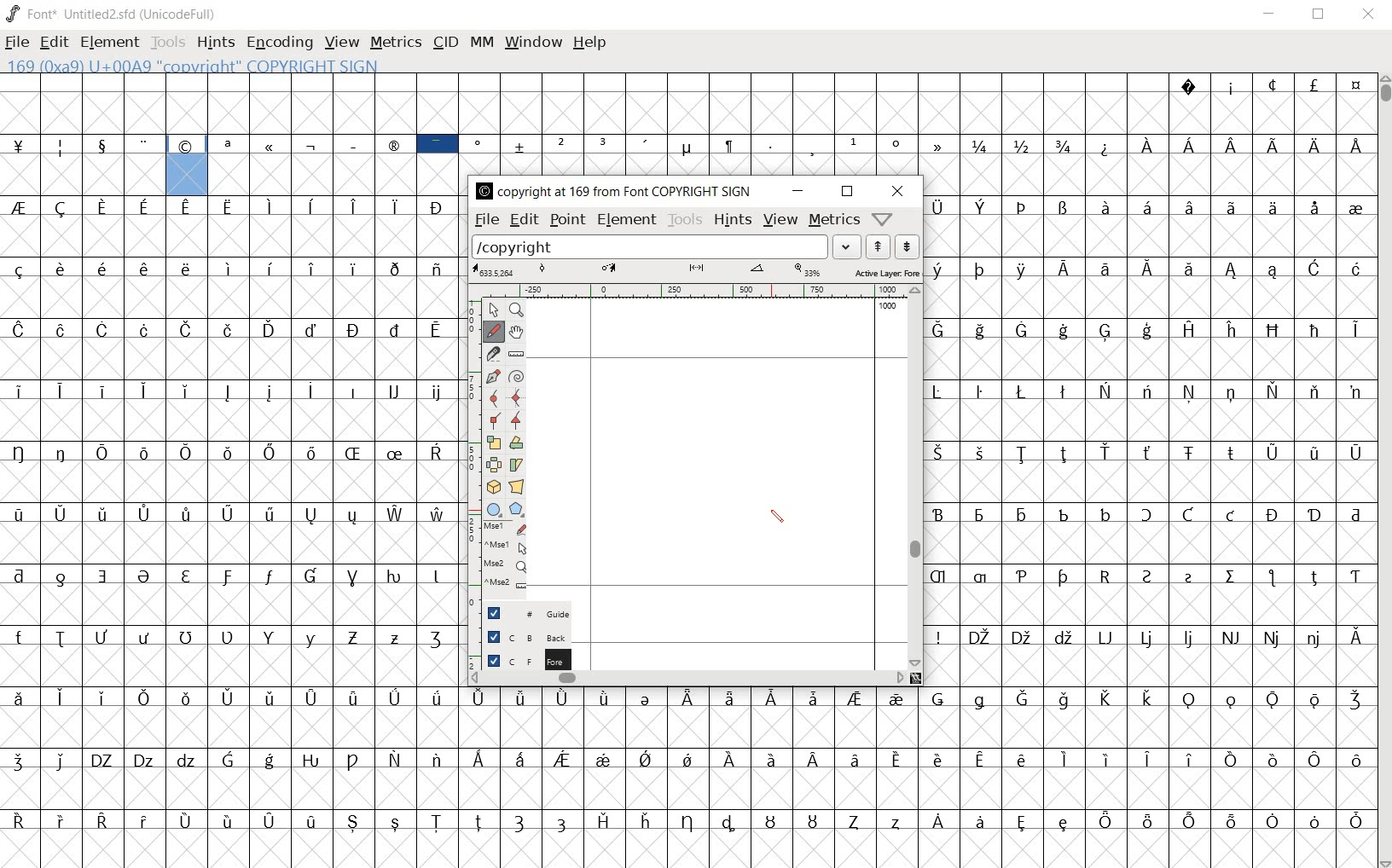  What do you see at coordinates (521, 613) in the screenshot?
I see `Guide` at bounding box center [521, 613].